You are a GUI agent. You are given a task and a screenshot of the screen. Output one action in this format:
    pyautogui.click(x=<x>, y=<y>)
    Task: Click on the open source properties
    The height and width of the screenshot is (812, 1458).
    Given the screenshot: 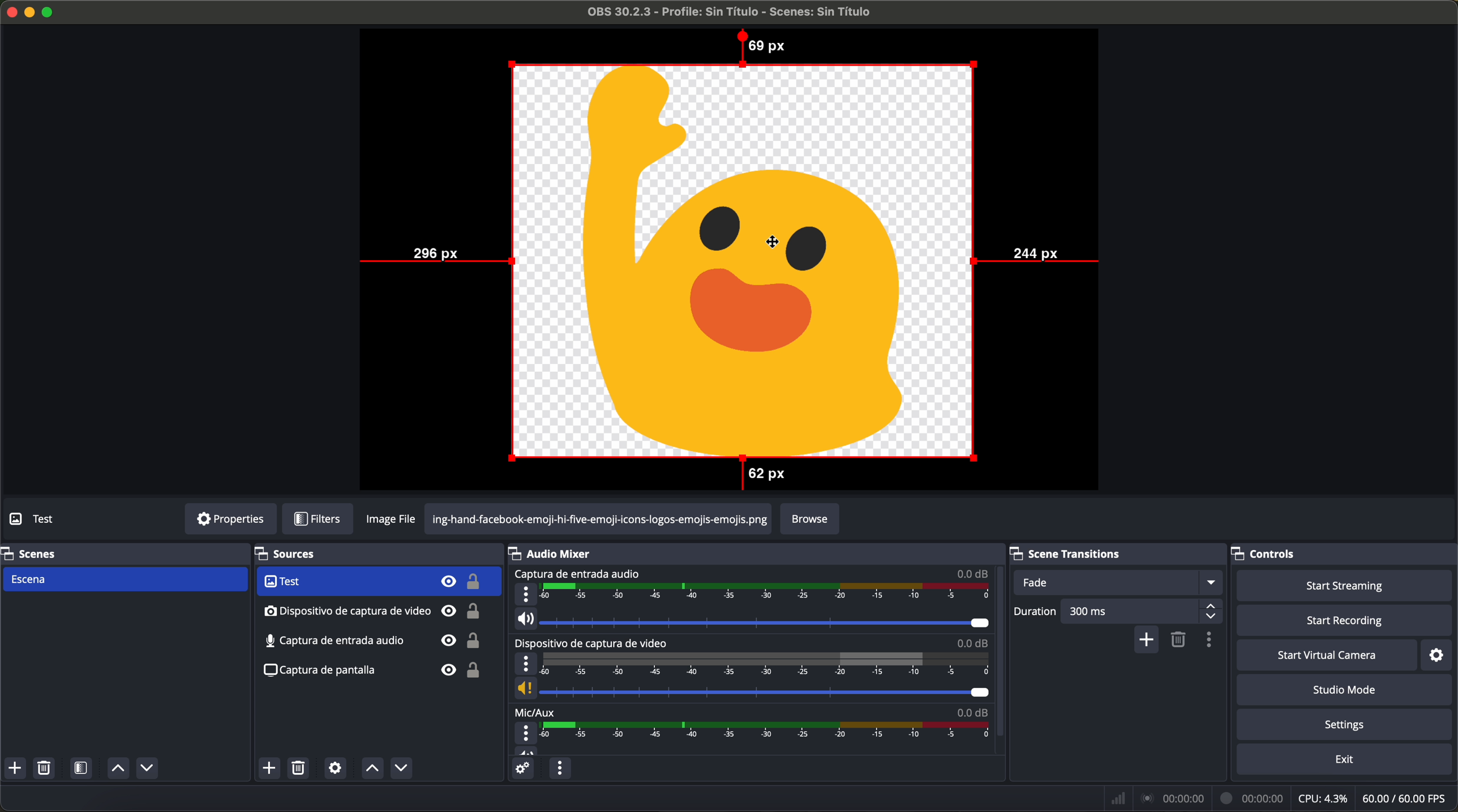 What is the action you would take?
    pyautogui.click(x=335, y=768)
    